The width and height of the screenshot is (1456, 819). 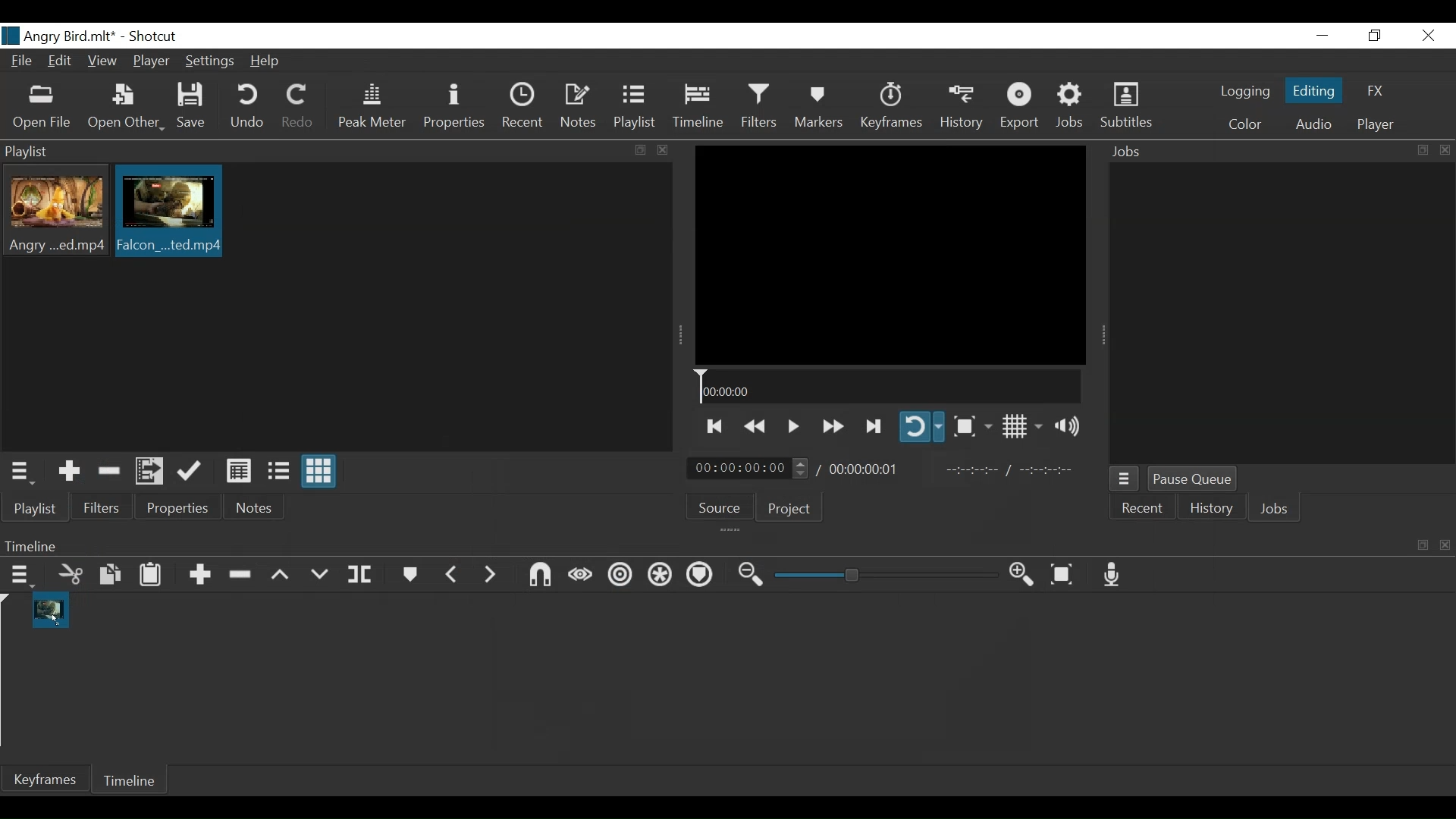 What do you see at coordinates (716, 426) in the screenshot?
I see `Skip to the previous point` at bounding box center [716, 426].